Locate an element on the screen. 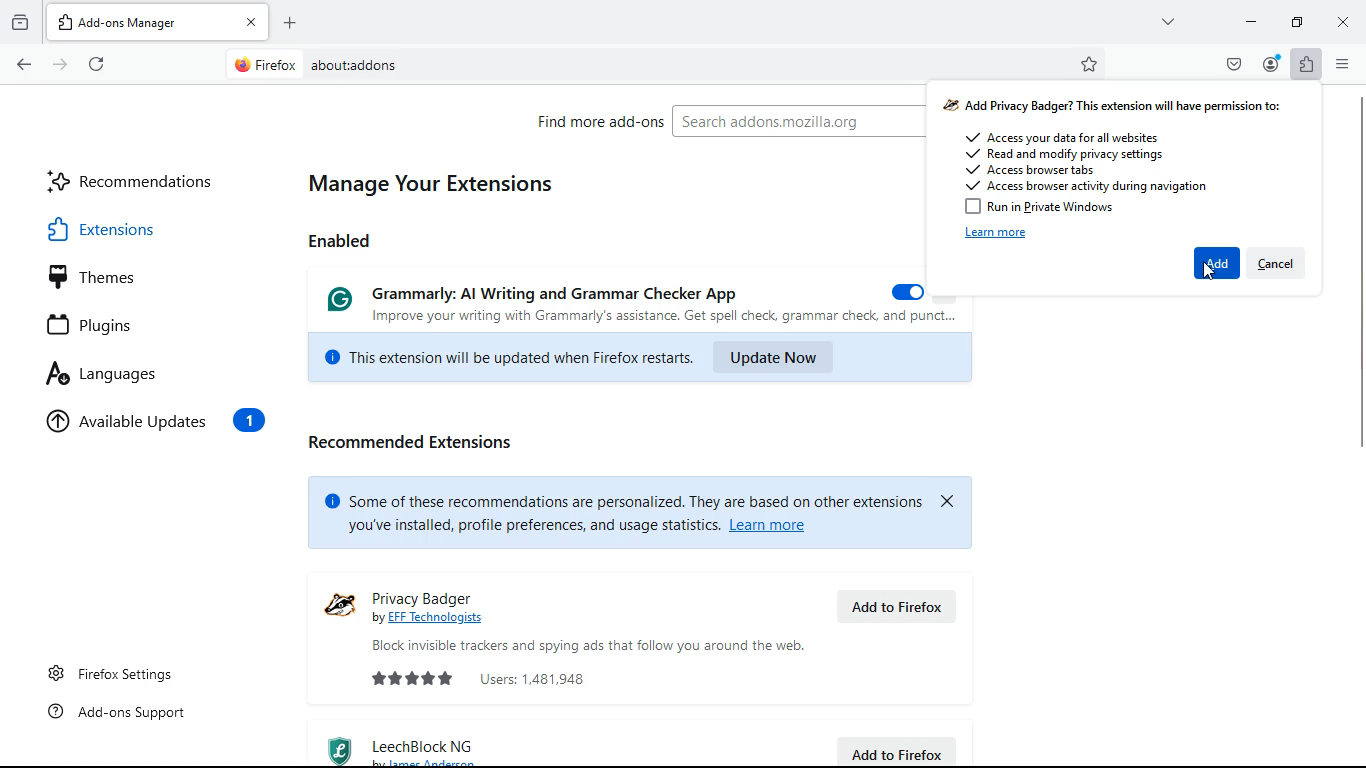 Image resolution: width=1366 pixels, height=768 pixels. add is located at coordinates (1216, 261).